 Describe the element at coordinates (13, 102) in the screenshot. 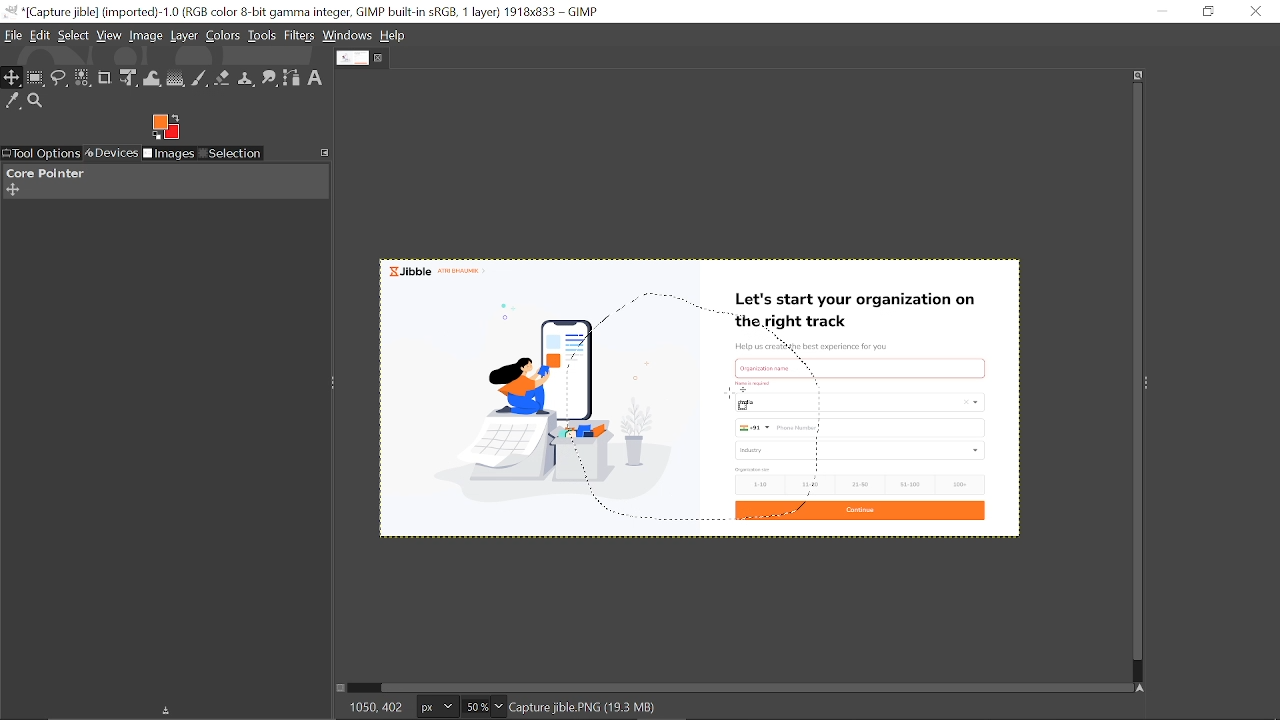

I see `Color picker tool` at that location.